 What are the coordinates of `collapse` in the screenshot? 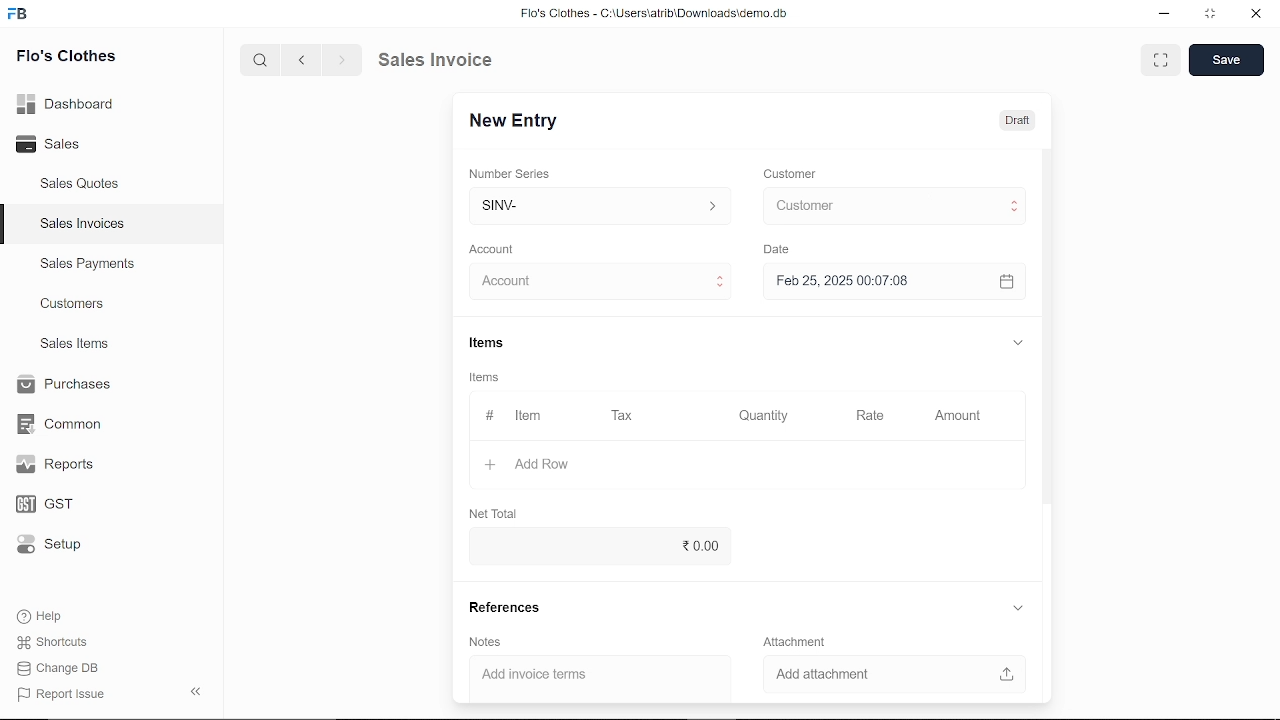 It's located at (198, 693).